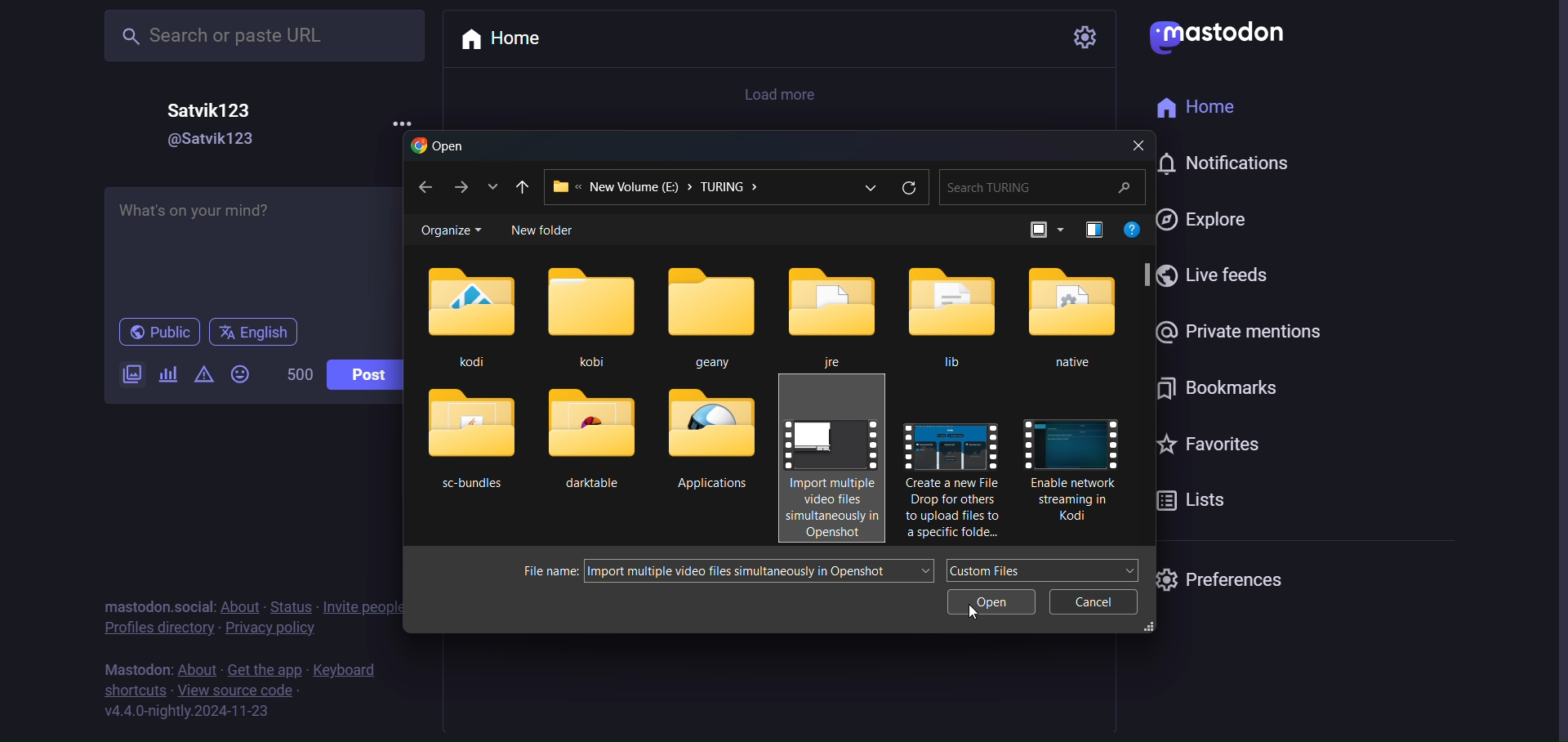 Image resolution: width=1568 pixels, height=742 pixels. Describe the element at coordinates (163, 375) in the screenshot. I see `poll` at that location.